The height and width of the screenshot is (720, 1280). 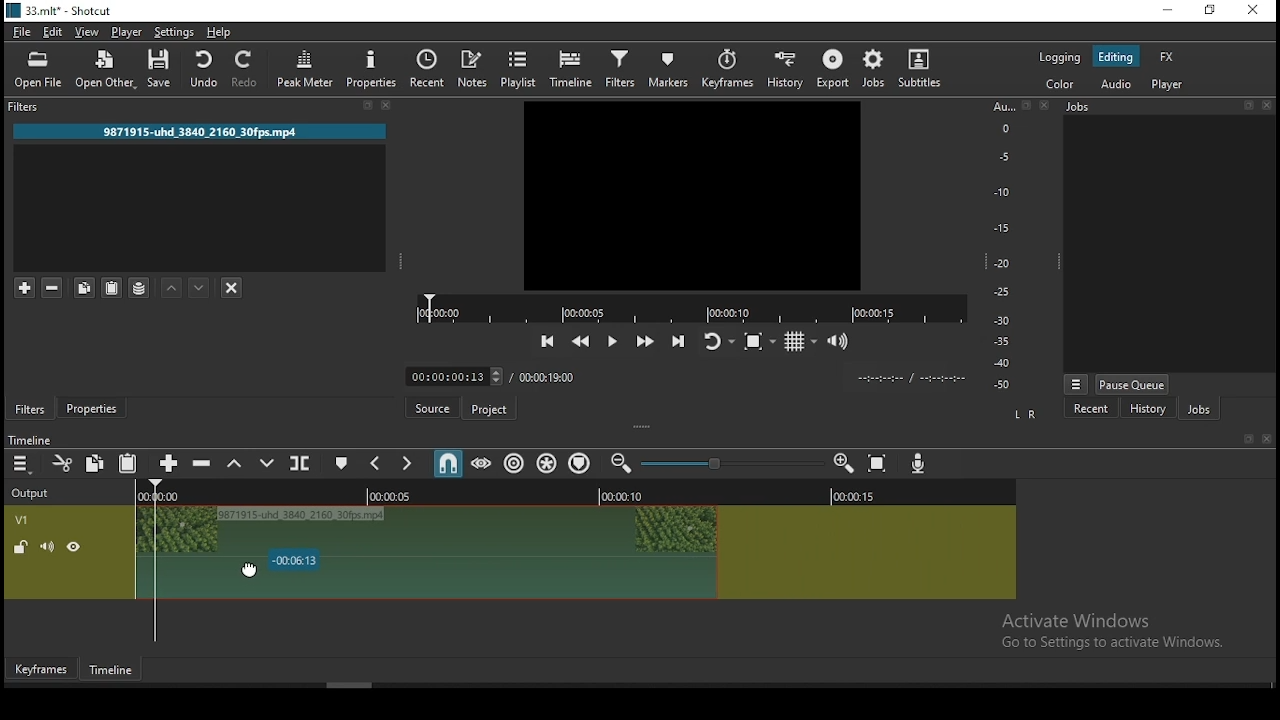 What do you see at coordinates (170, 288) in the screenshot?
I see `move filter up` at bounding box center [170, 288].